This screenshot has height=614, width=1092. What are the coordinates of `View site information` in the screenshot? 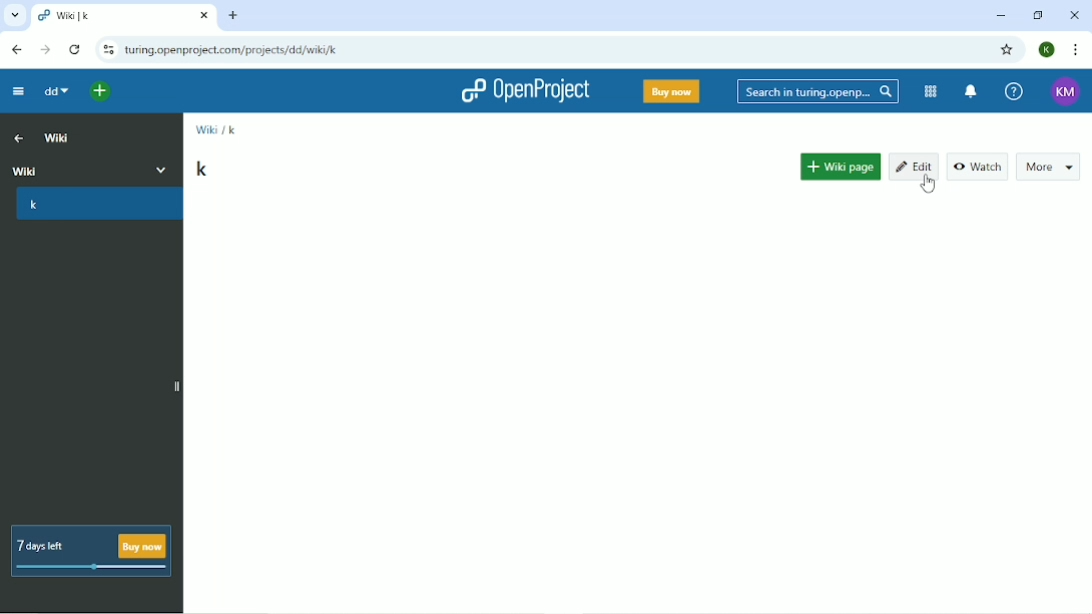 It's located at (109, 50).